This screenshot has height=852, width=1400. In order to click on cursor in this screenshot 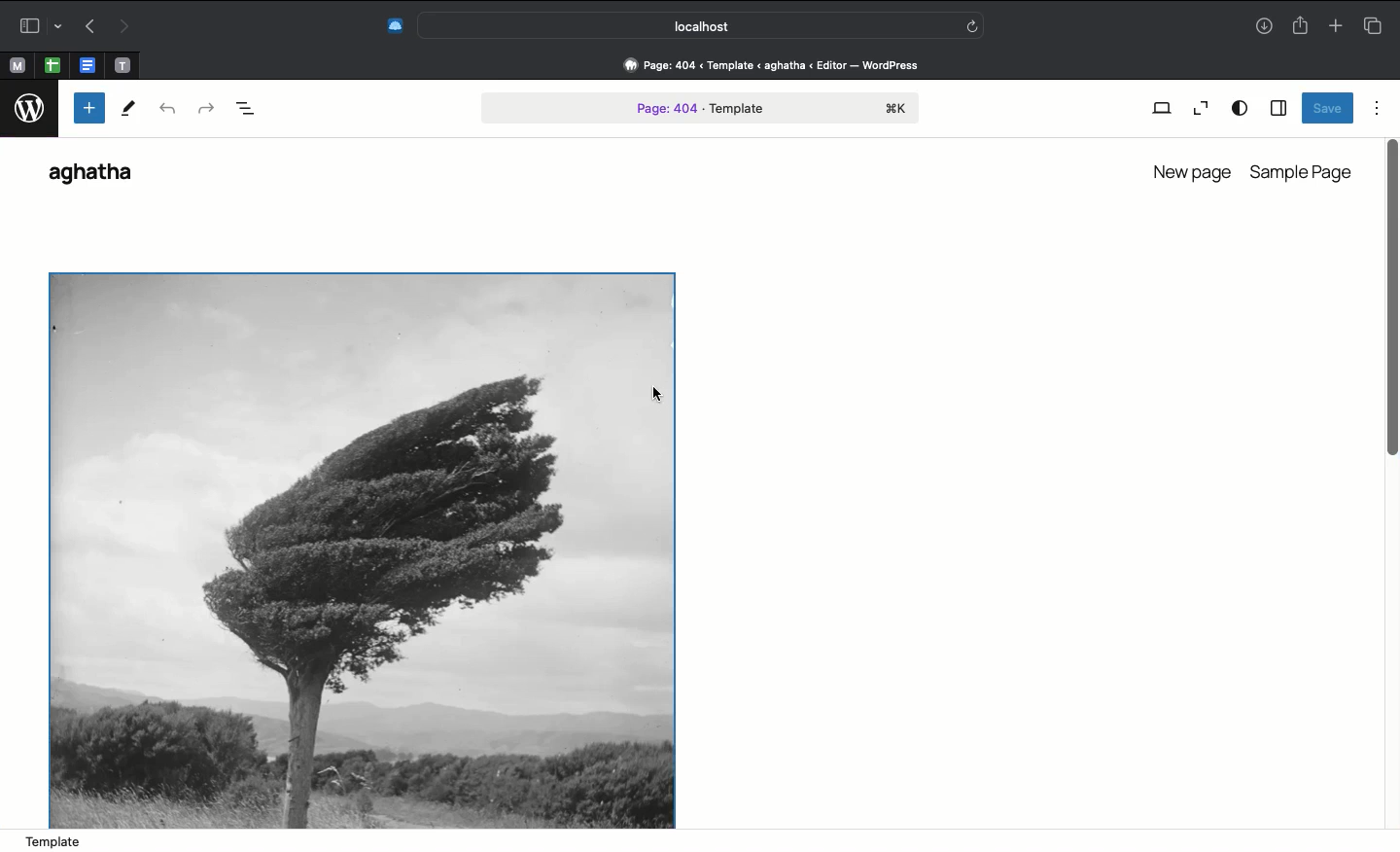, I will do `click(656, 395)`.